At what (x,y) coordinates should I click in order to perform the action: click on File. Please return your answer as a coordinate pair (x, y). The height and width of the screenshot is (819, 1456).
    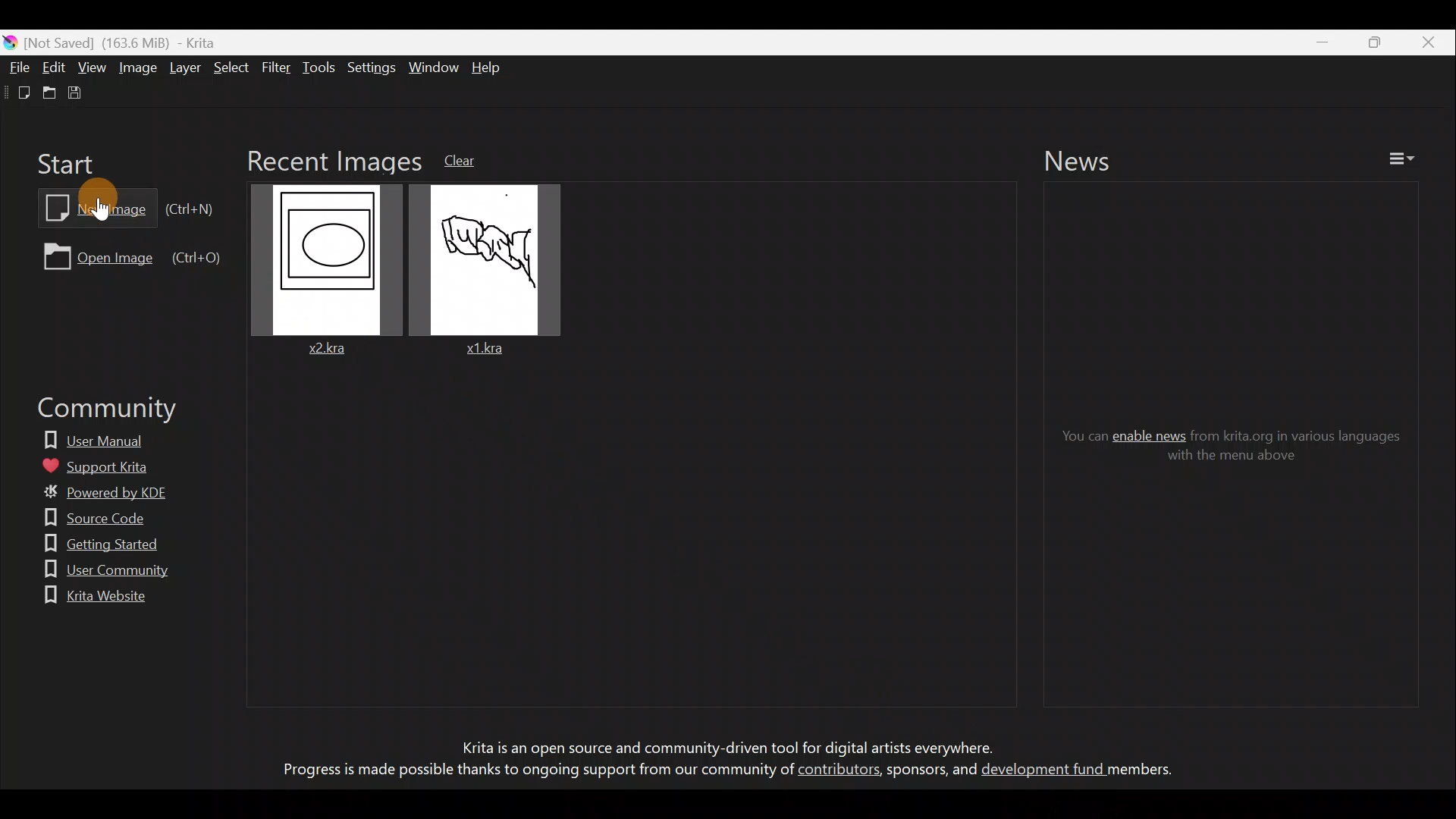
    Looking at the image, I should click on (19, 66).